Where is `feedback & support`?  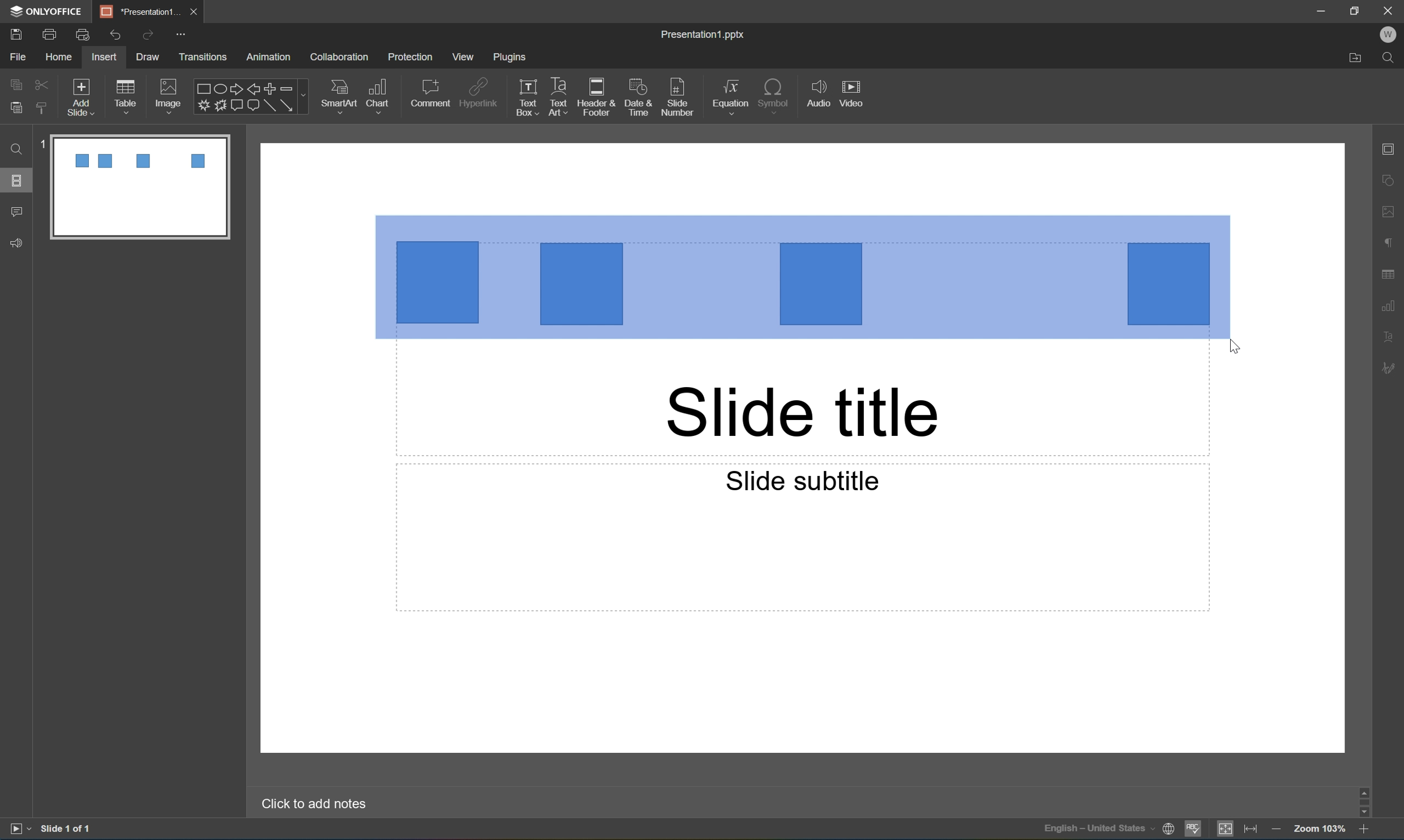
feedback & support is located at coordinates (15, 243).